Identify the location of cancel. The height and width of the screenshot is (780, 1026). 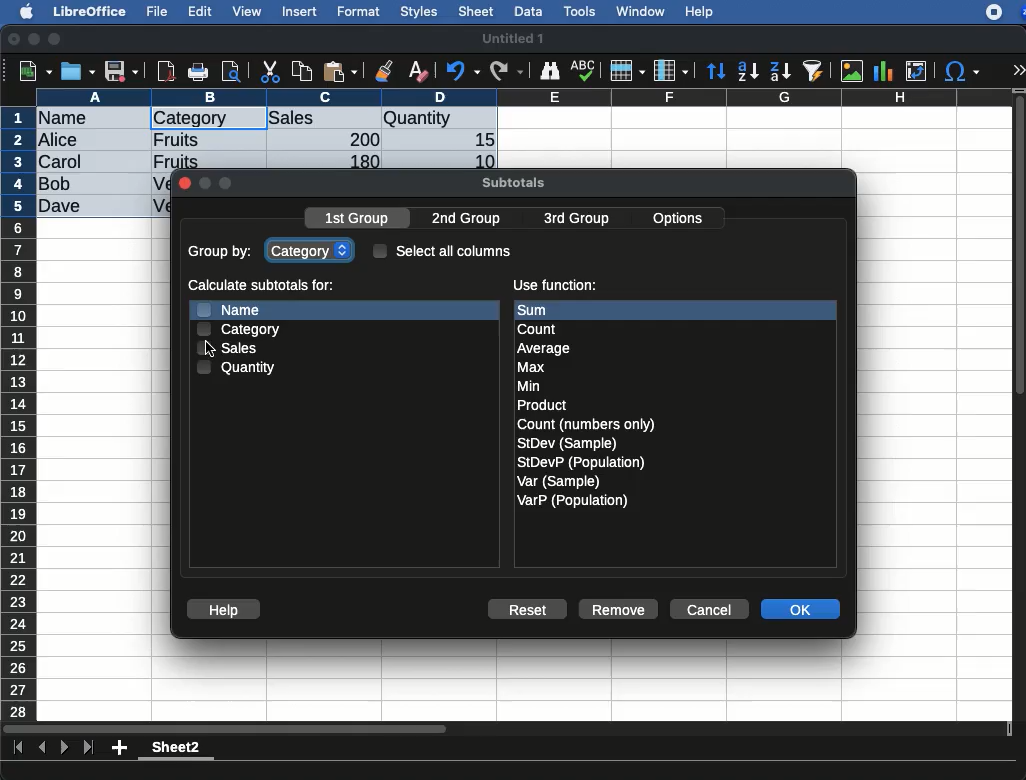
(708, 610).